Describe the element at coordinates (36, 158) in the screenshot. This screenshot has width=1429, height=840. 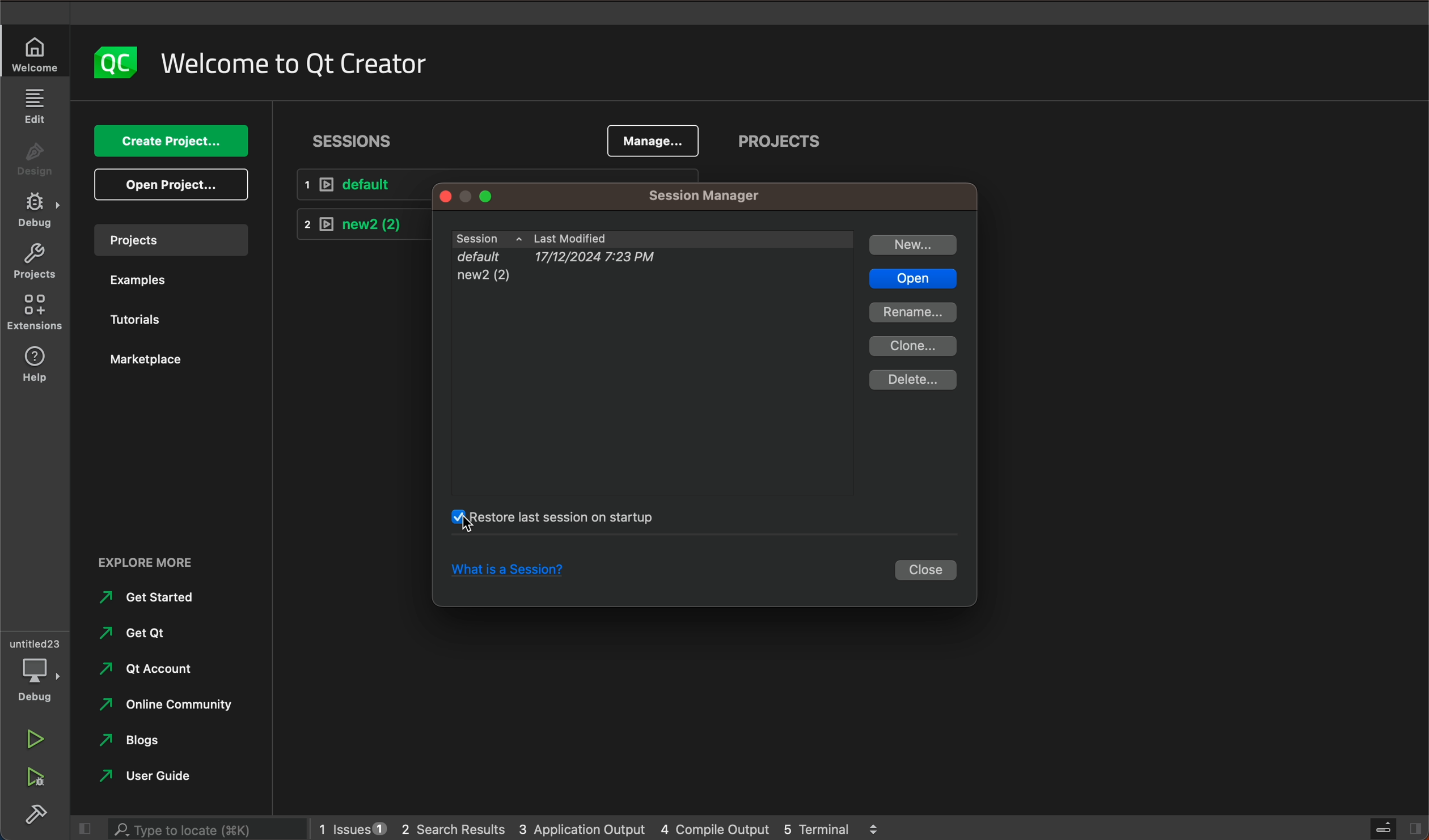
I see `design` at that location.